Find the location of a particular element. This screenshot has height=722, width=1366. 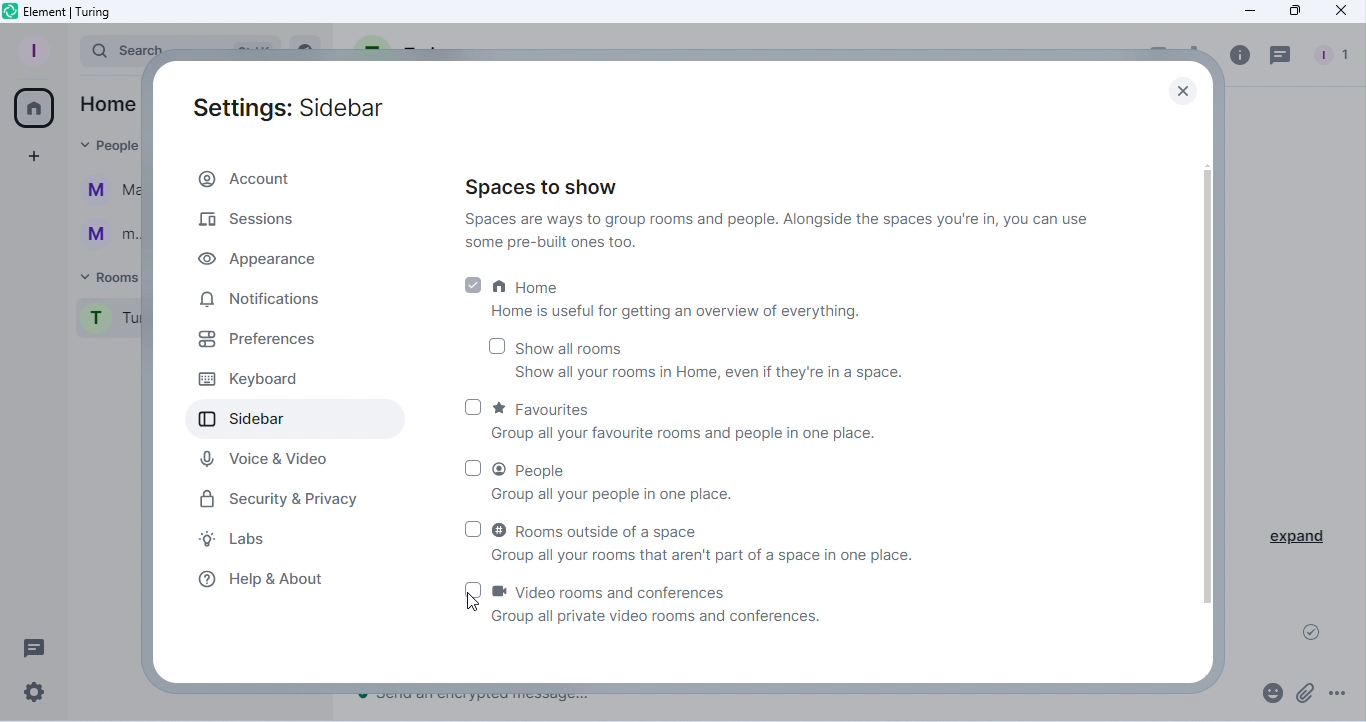

Quick settings is located at coordinates (32, 695).